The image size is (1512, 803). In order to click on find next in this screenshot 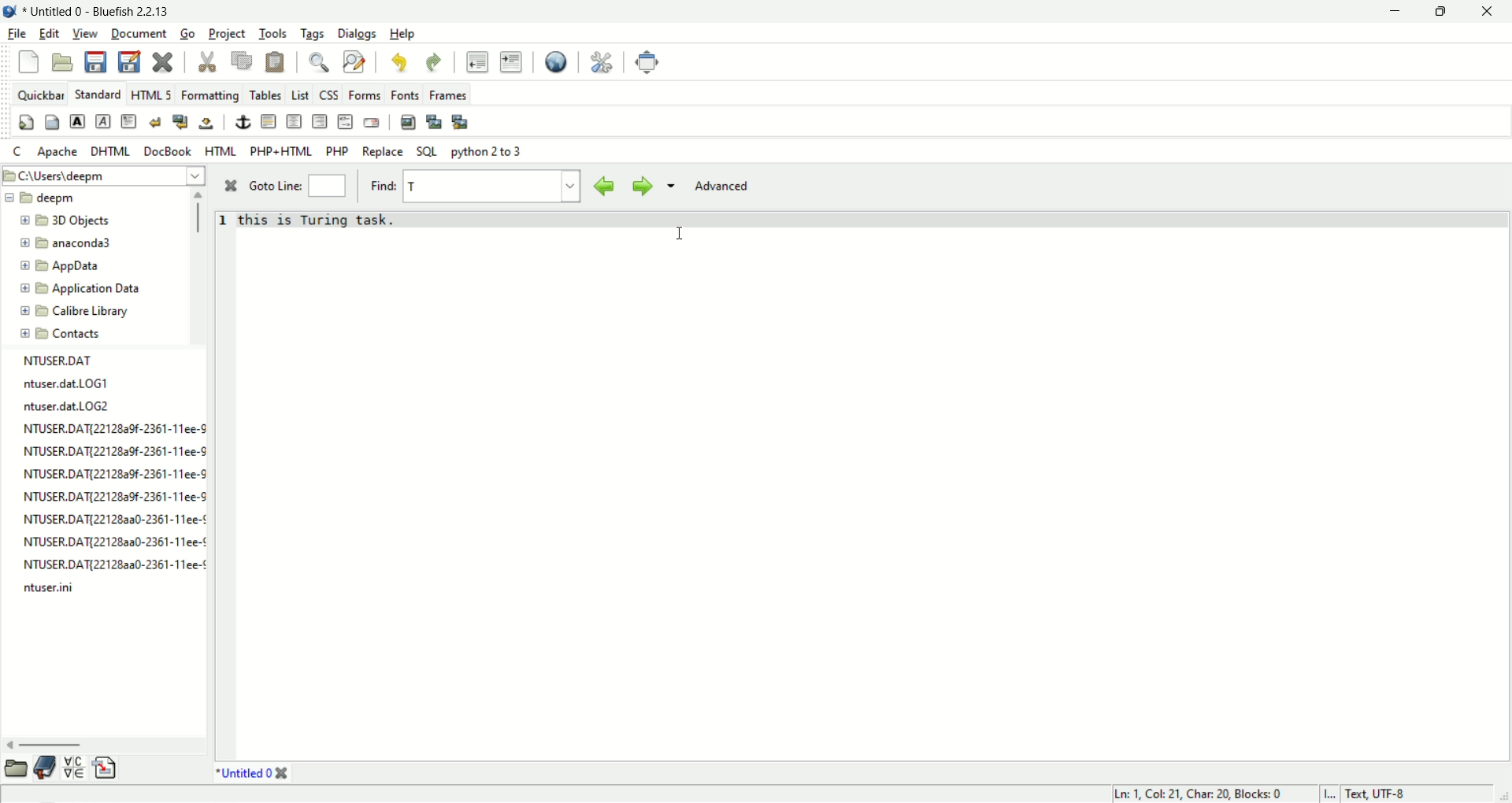, I will do `click(639, 186)`.